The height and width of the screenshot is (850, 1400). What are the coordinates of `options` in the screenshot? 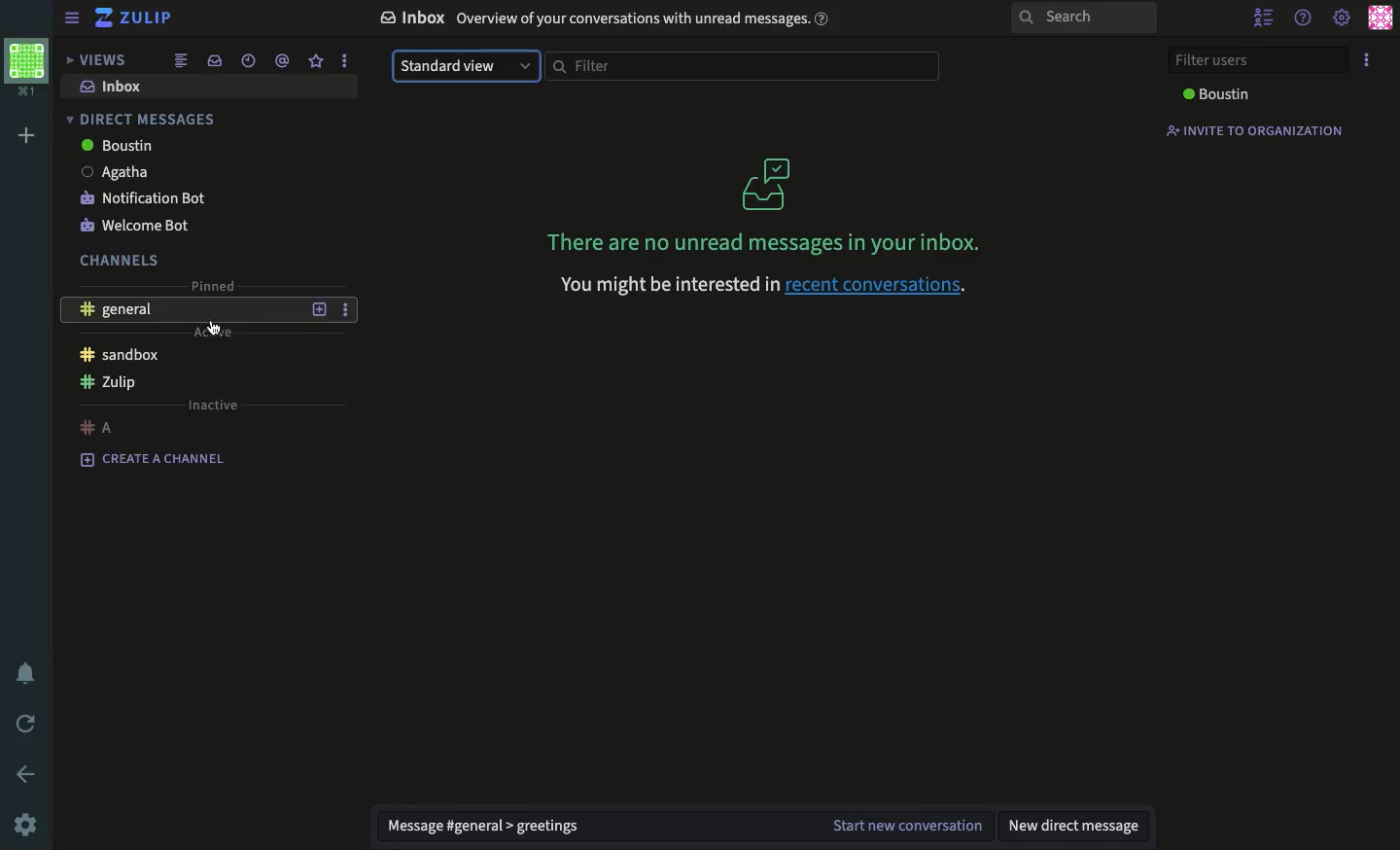 It's located at (345, 309).